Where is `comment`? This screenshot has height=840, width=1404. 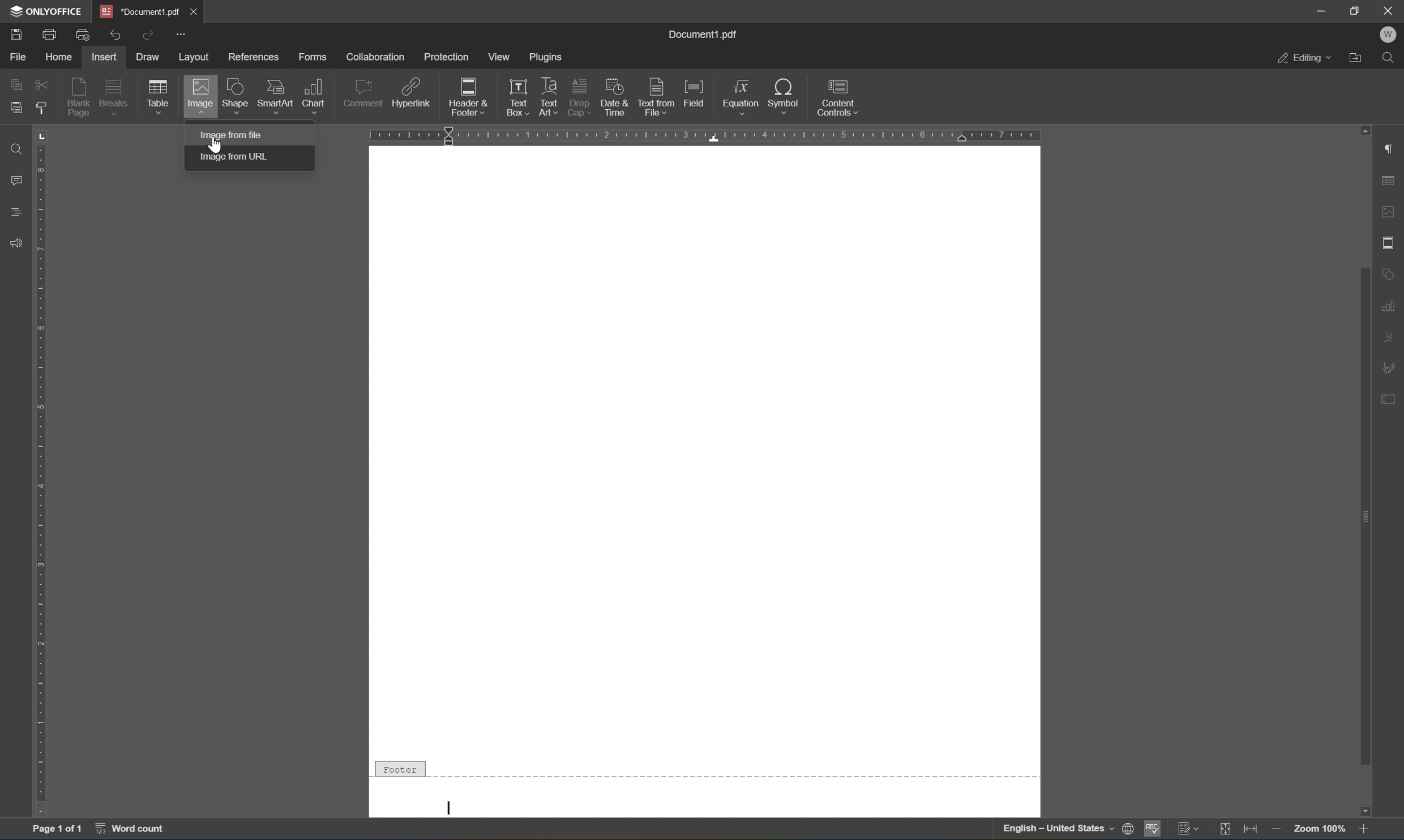
comment is located at coordinates (364, 93).